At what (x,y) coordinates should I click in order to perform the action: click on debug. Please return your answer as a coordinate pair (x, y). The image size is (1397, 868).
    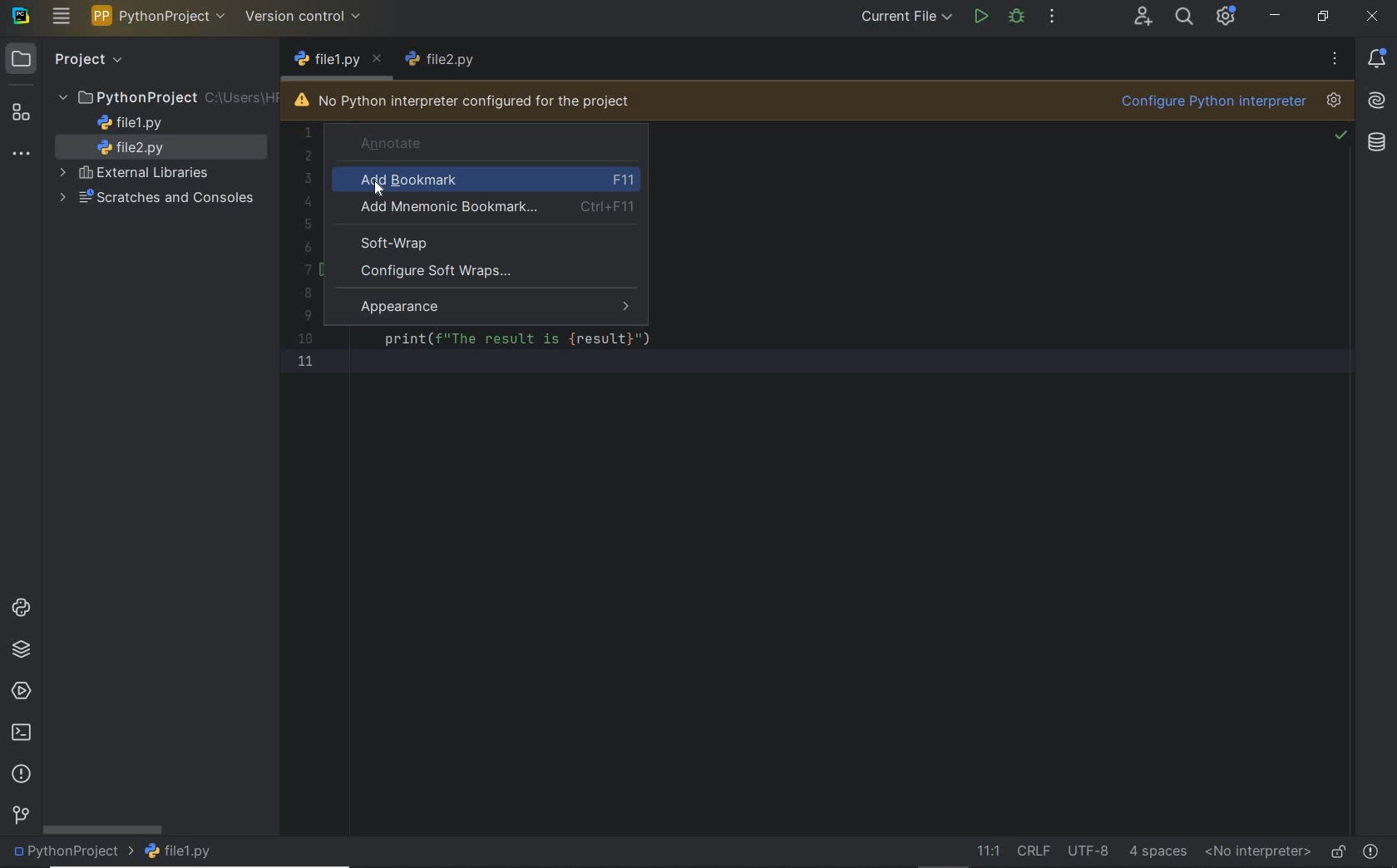
    Looking at the image, I should click on (1016, 19).